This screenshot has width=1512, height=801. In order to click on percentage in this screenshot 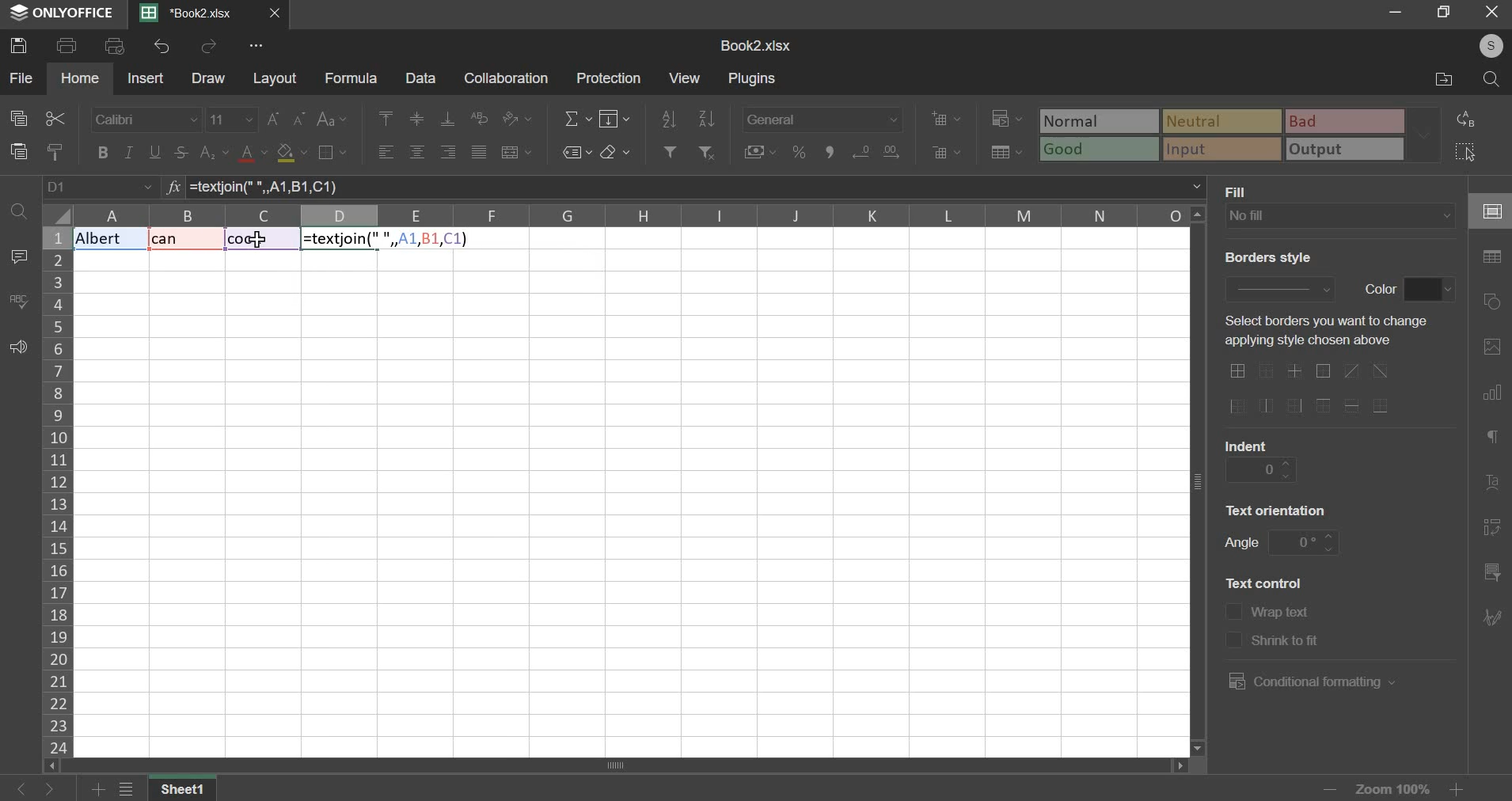, I will do `click(798, 152)`.